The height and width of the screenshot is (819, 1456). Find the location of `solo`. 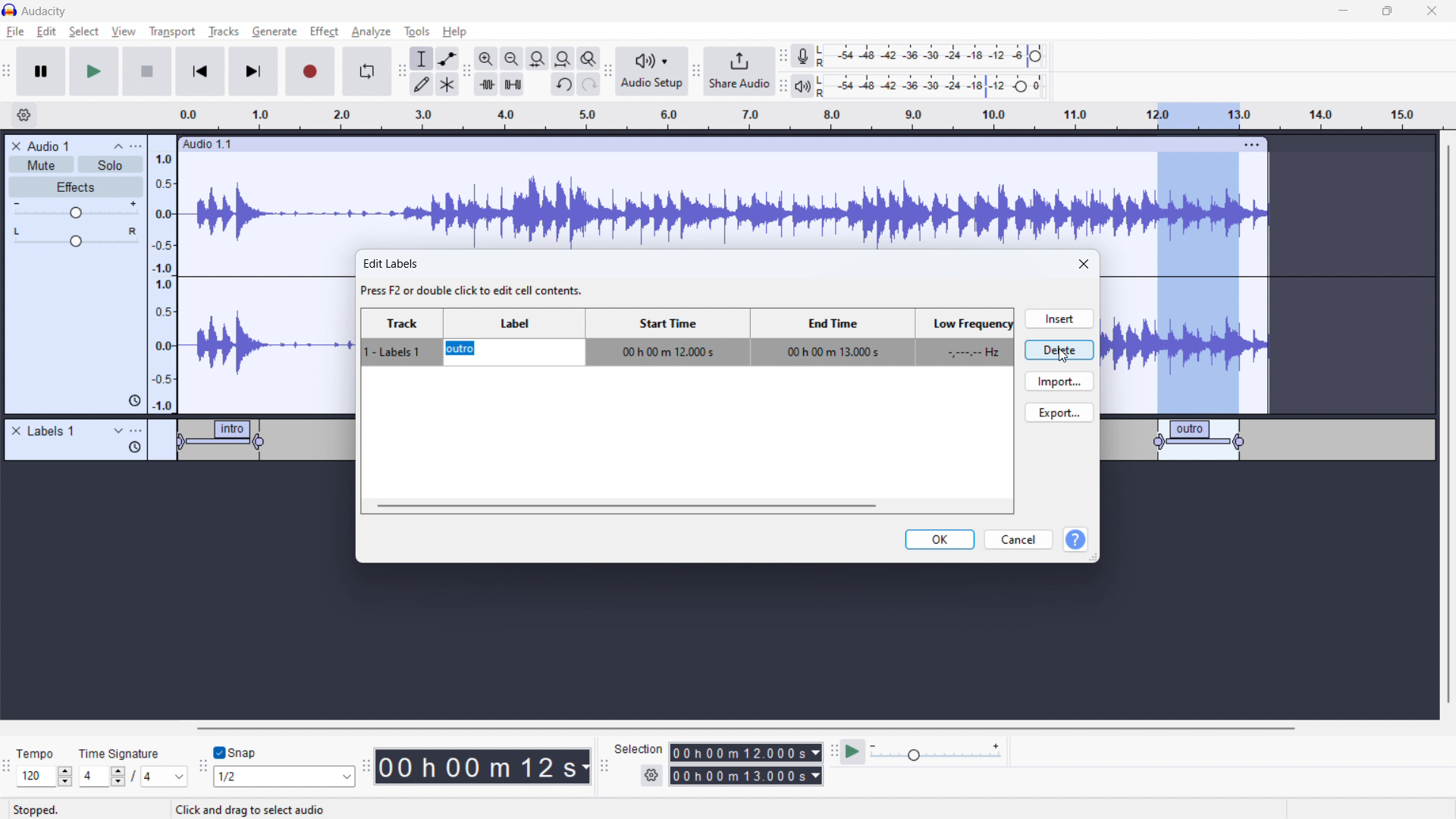

solo is located at coordinates (111, 165).